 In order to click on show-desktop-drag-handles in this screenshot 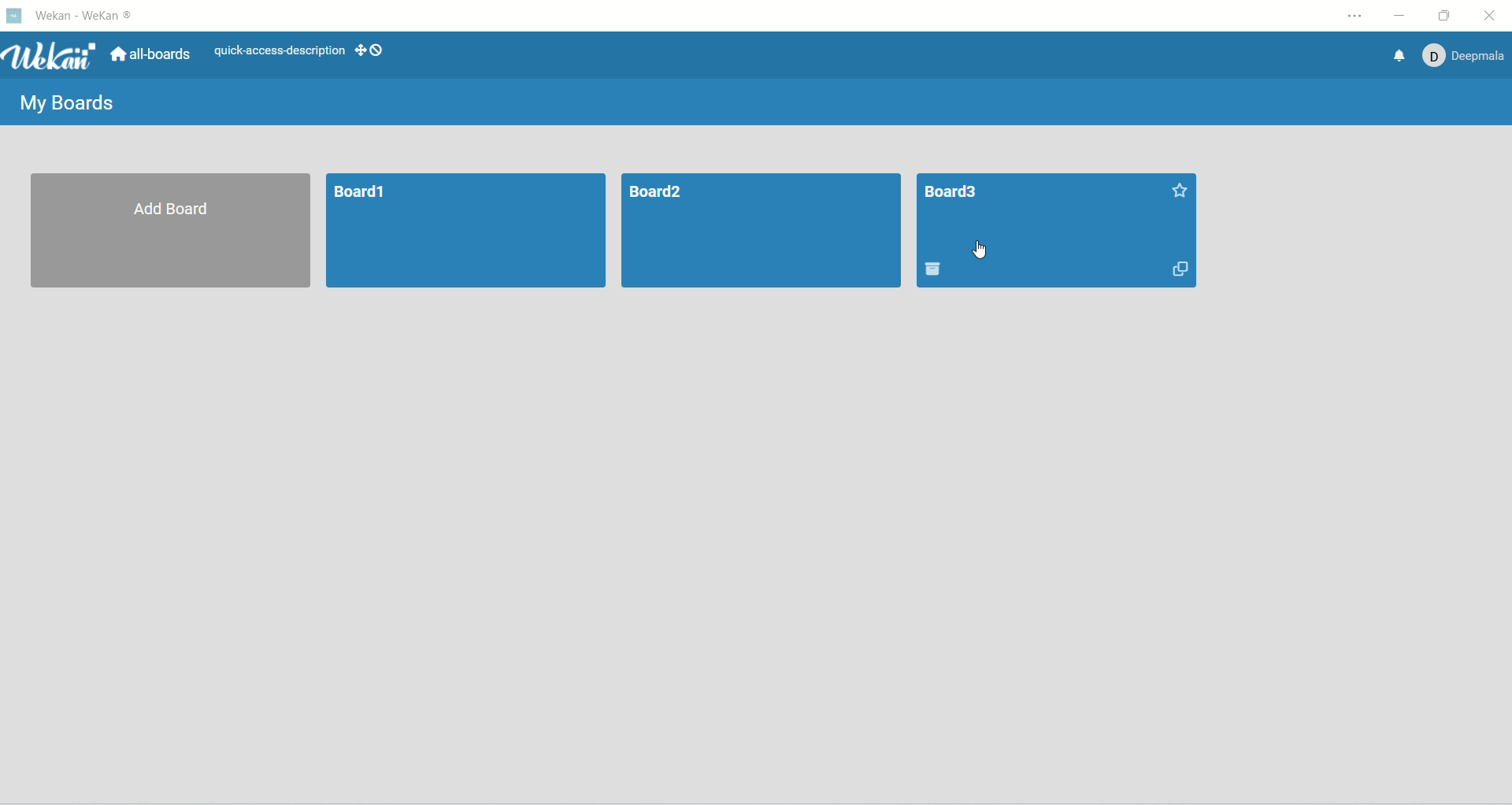, I will do `click(374, 50)`.